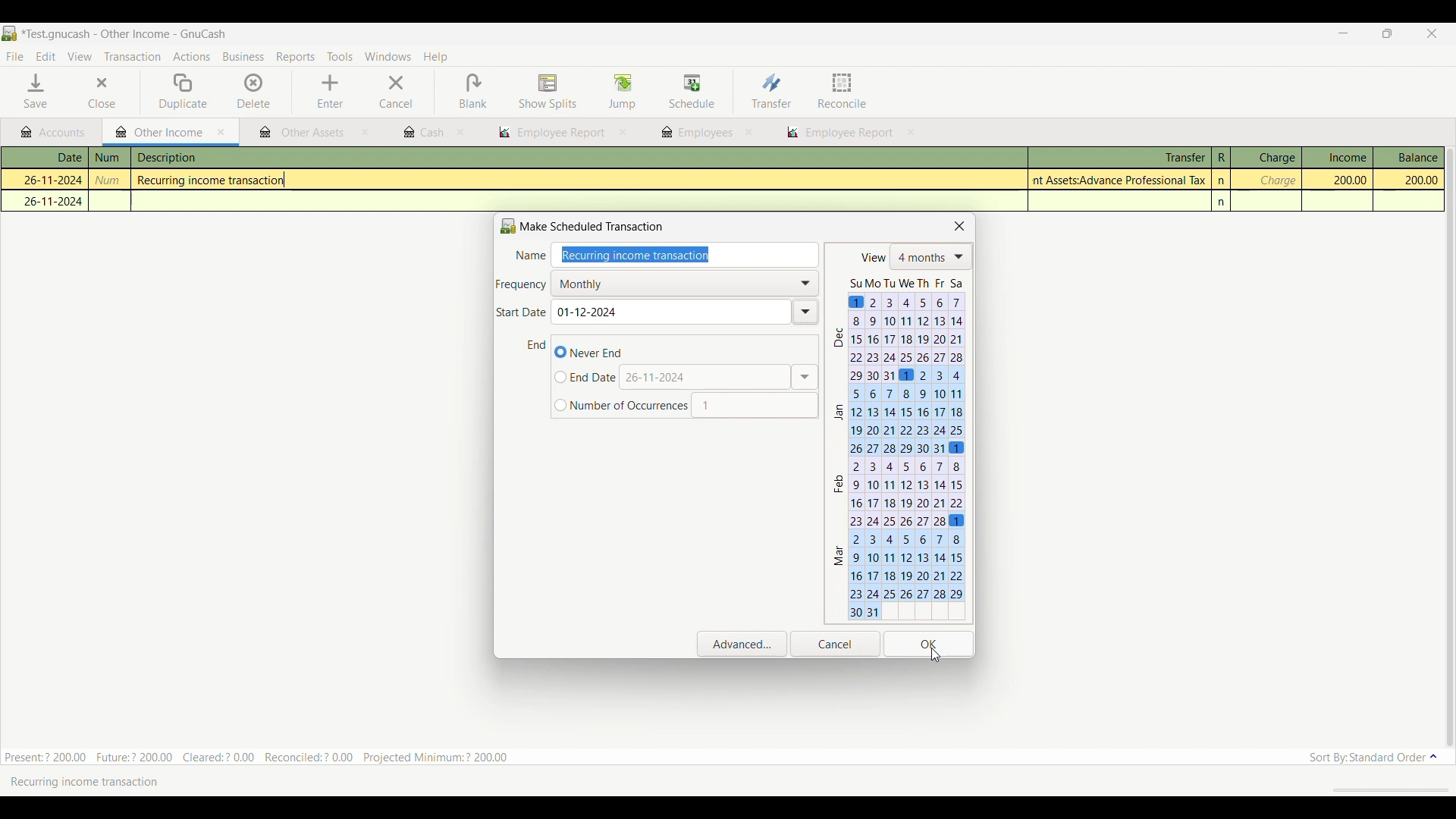  I want to click on Calendar of above mentioned month, so click(755, 411).